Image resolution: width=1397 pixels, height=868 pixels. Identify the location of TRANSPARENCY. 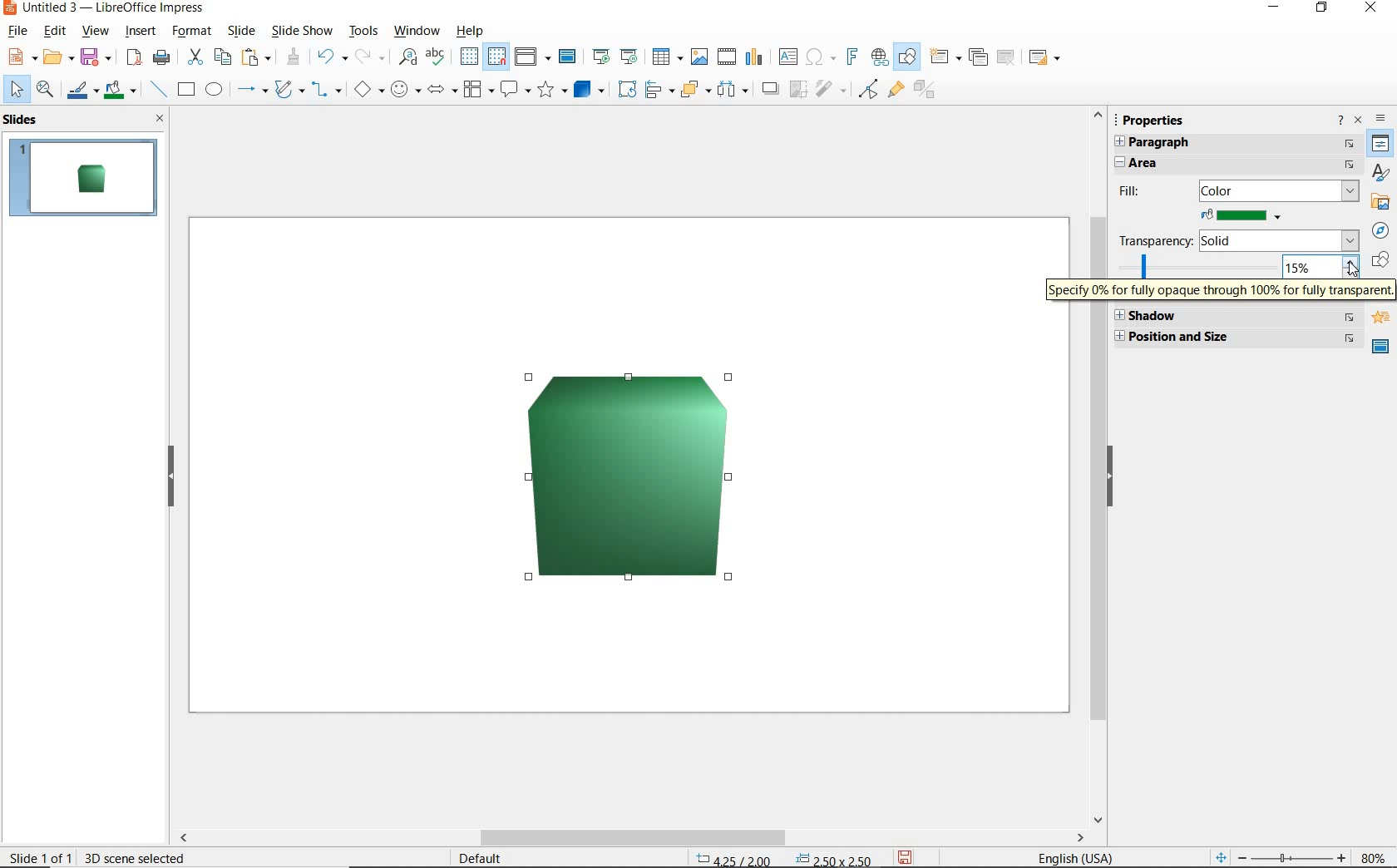
(1237, 241).